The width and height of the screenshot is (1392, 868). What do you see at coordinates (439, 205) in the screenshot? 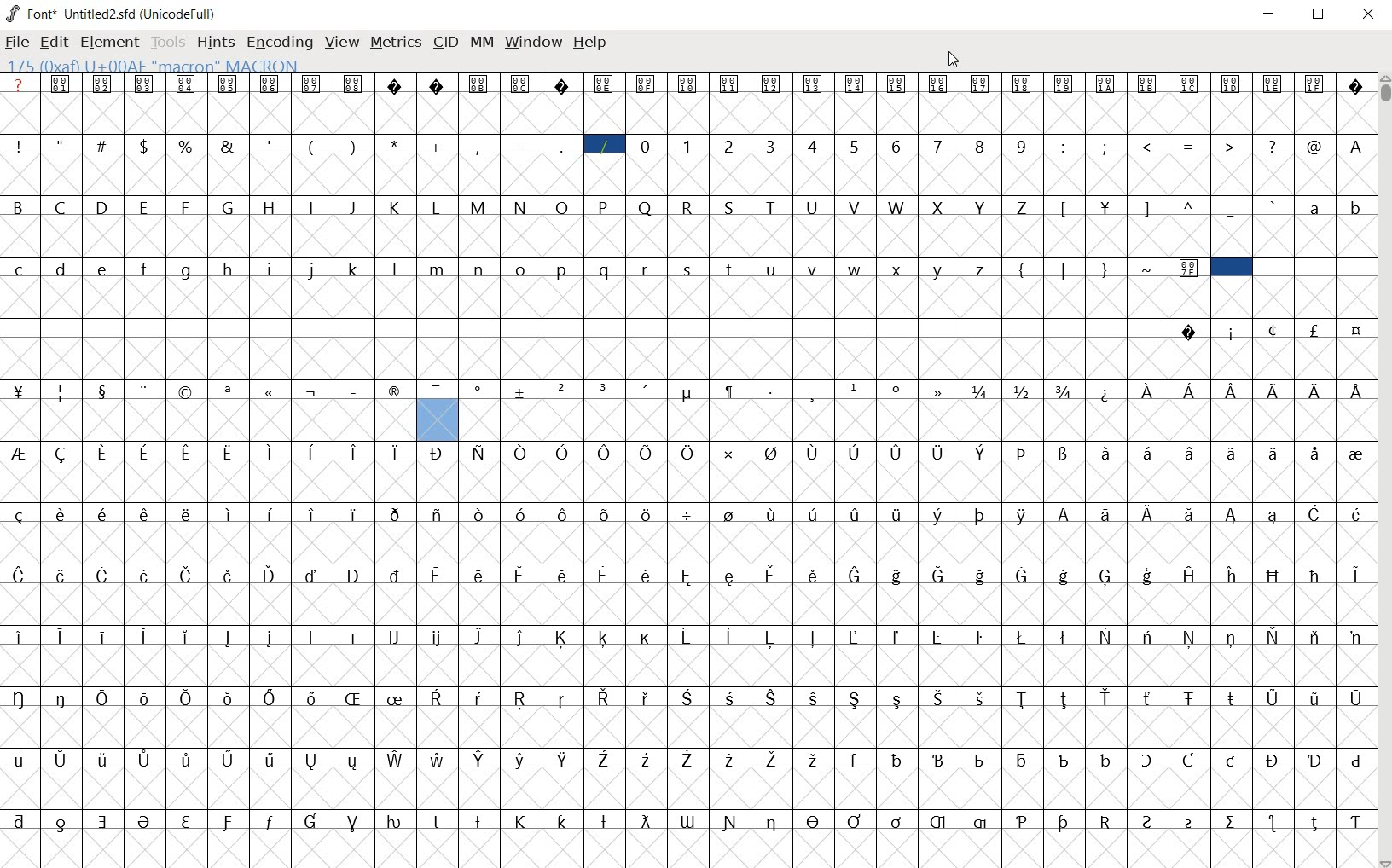
I see `L` at bounding box center [439, 205].